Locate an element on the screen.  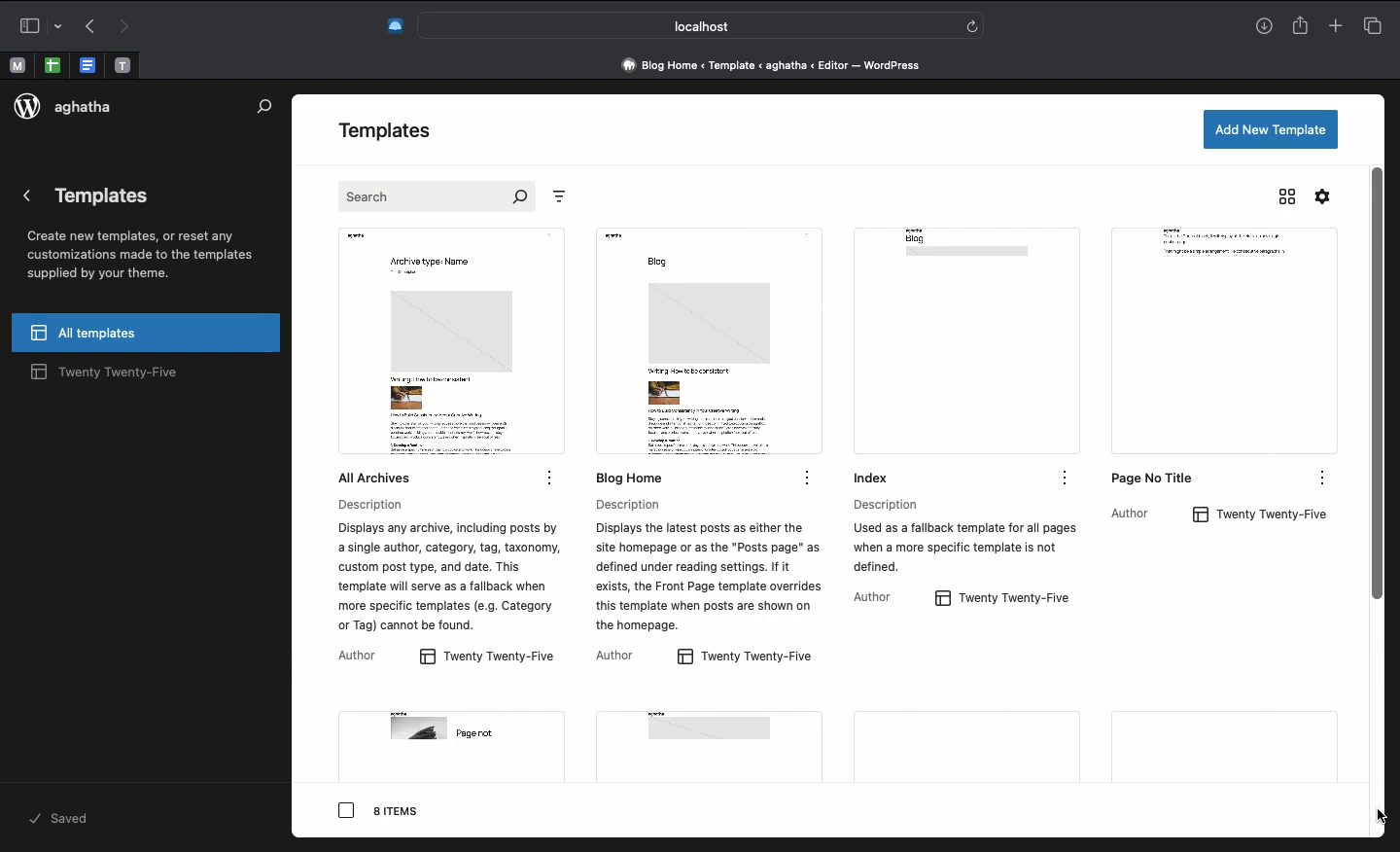
Scroll is located at coordinates (1374, 485).